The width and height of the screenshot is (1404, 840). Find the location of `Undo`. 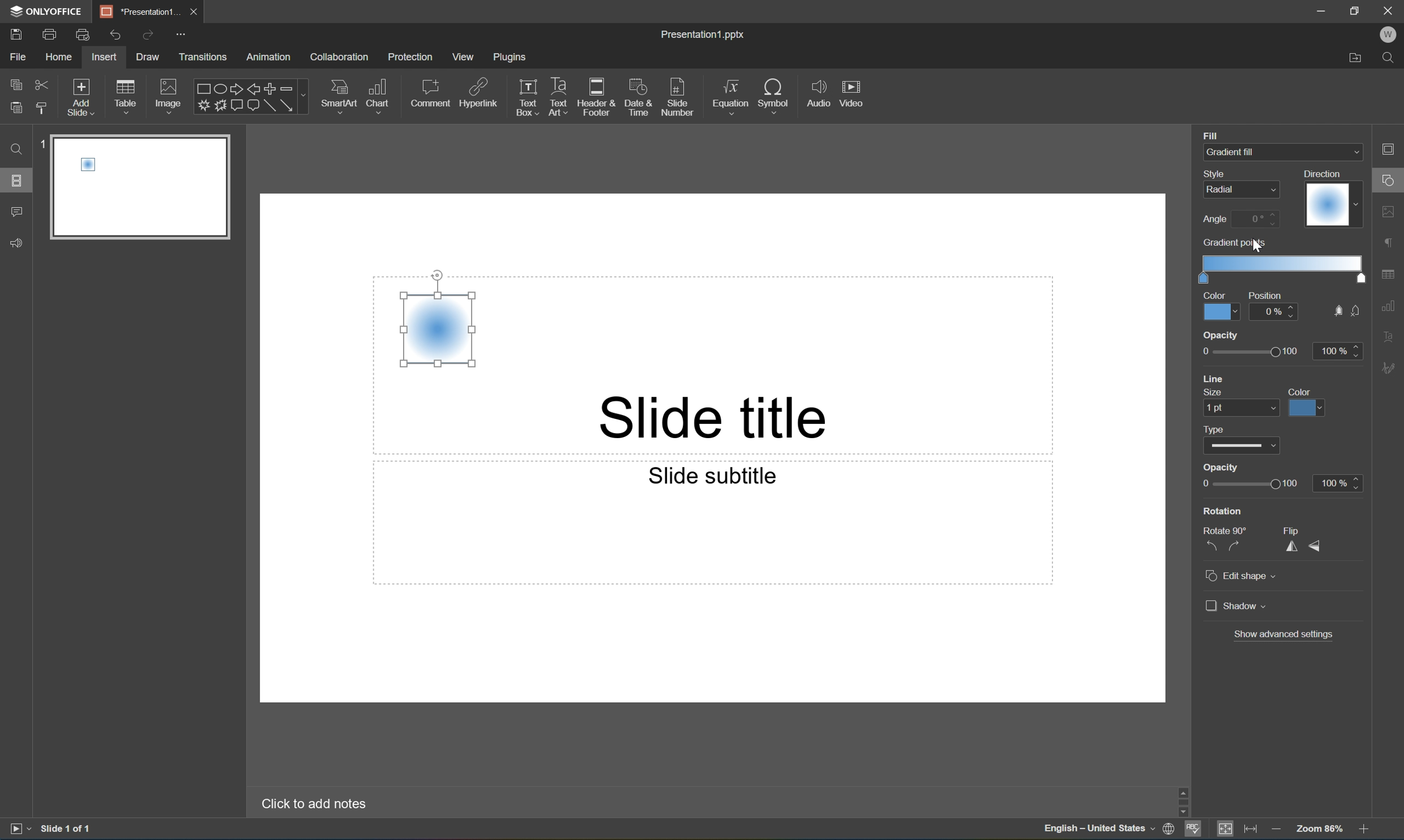

Undo is located at coordinates (115, 36).